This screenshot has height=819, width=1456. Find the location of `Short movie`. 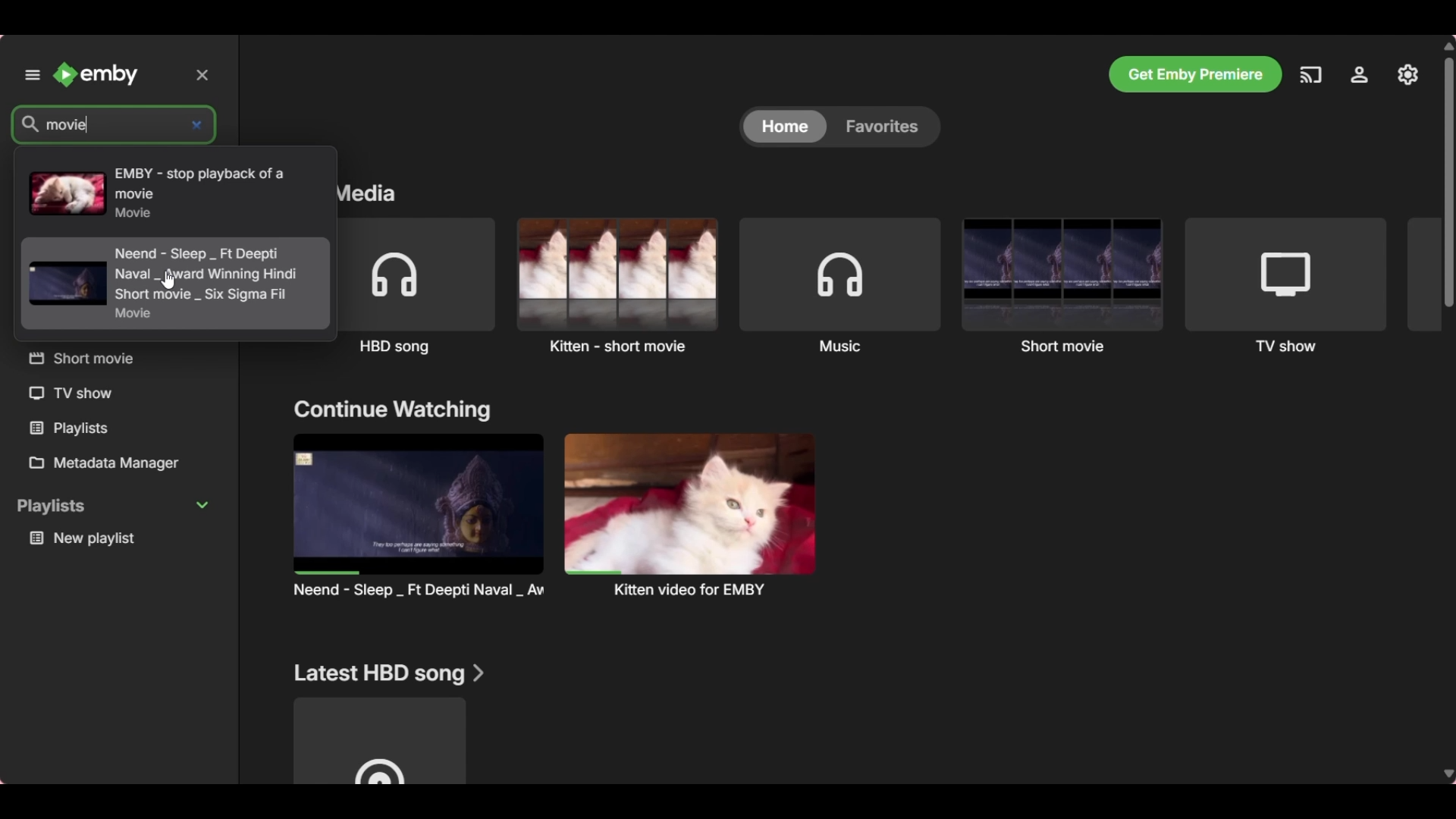

Short movie is located at coordinates (1063, 284).